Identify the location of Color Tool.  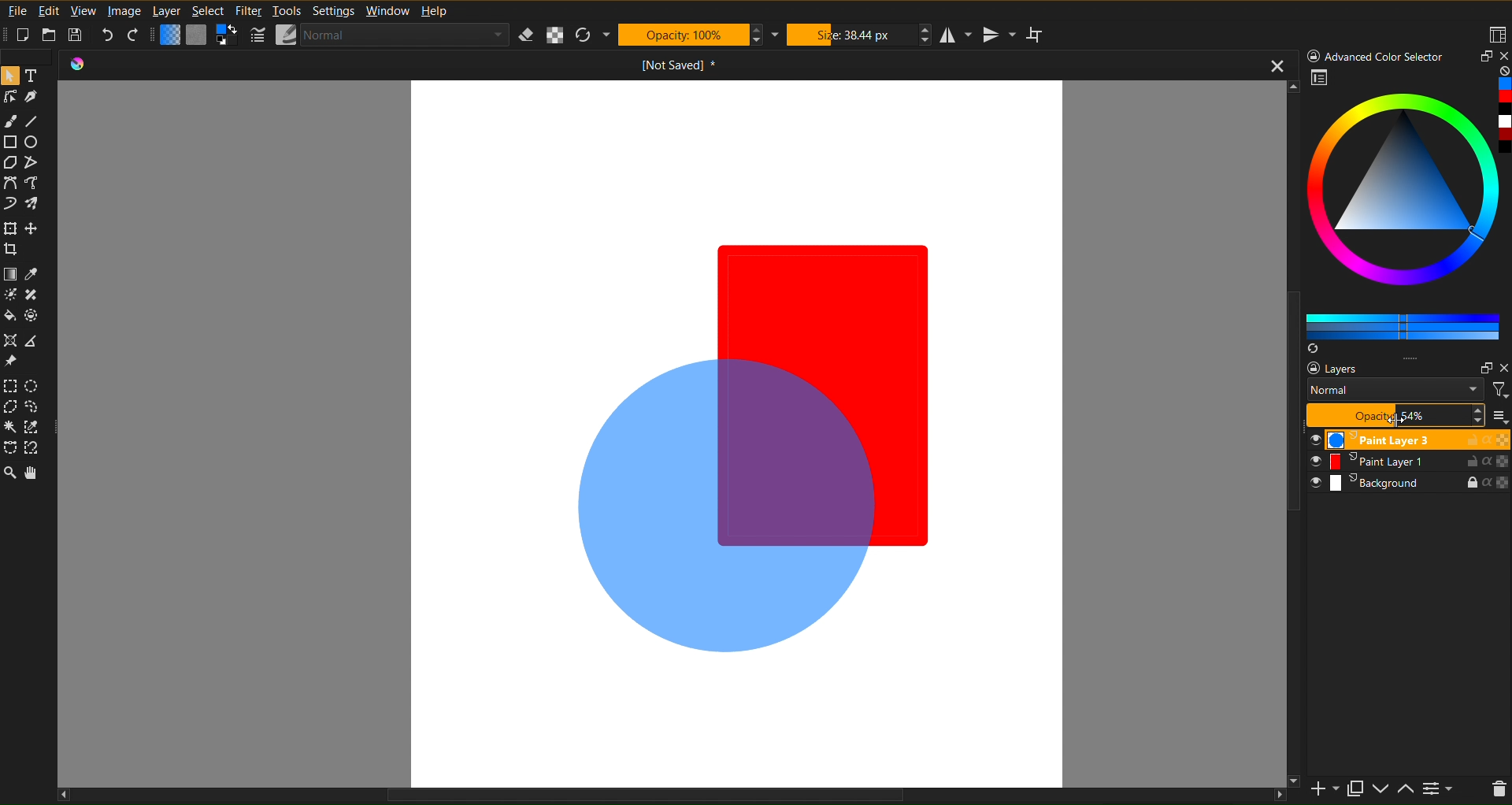
(11, 276).